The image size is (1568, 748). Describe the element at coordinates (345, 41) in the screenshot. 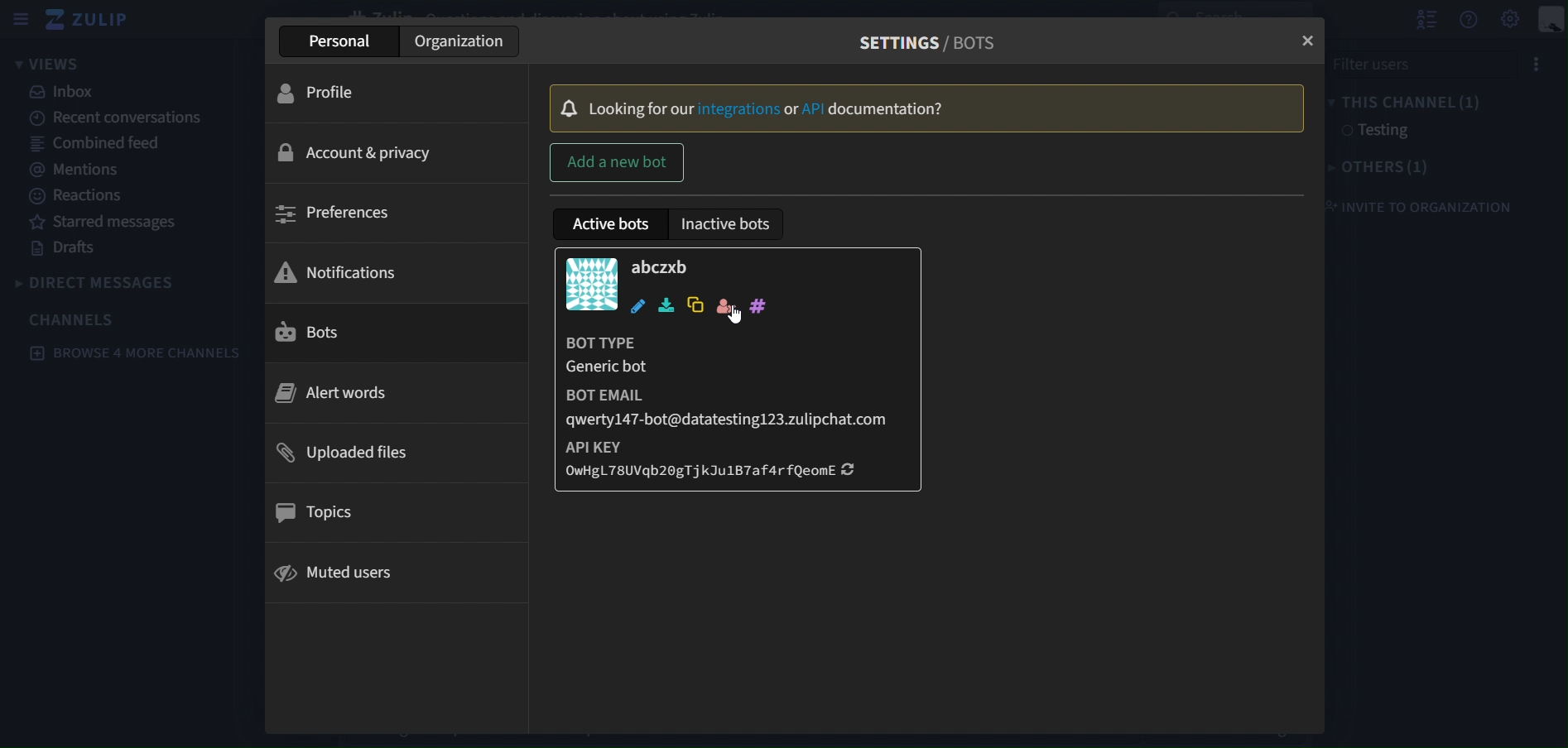

I see `personal` at that location.